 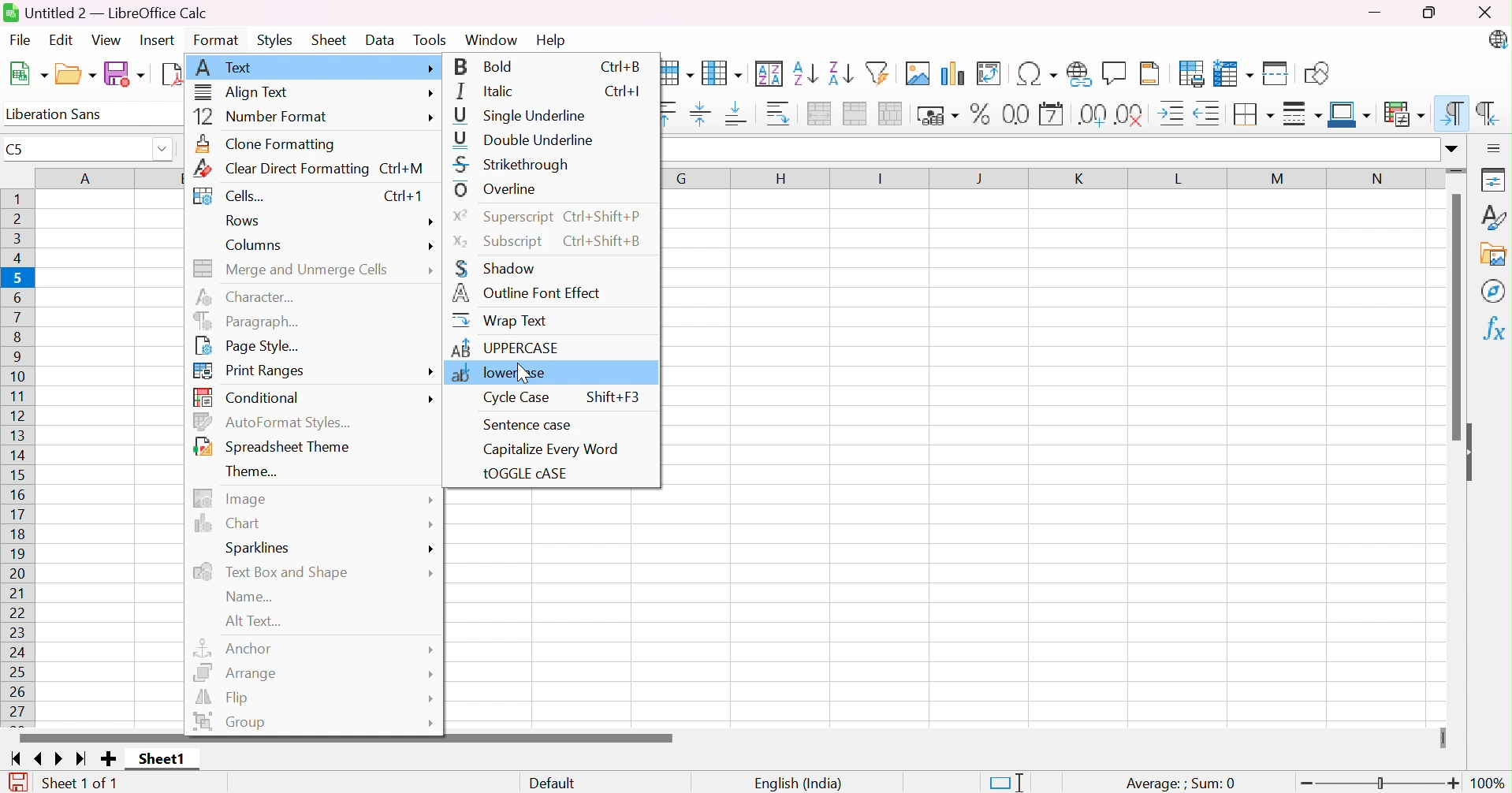 I want to click on Format as Number, so click(x=1015, y=114).